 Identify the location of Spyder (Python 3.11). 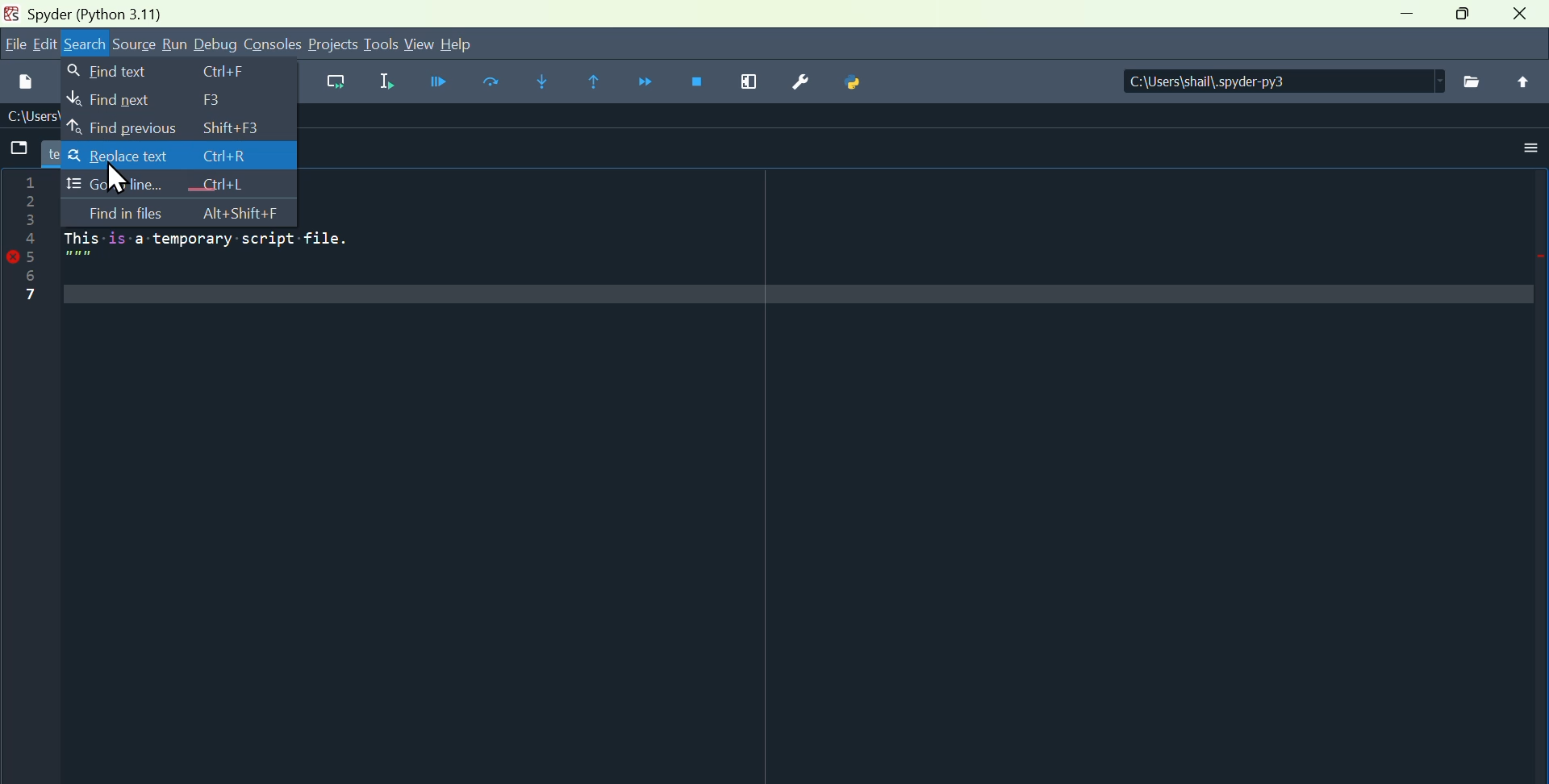
(150, 14).